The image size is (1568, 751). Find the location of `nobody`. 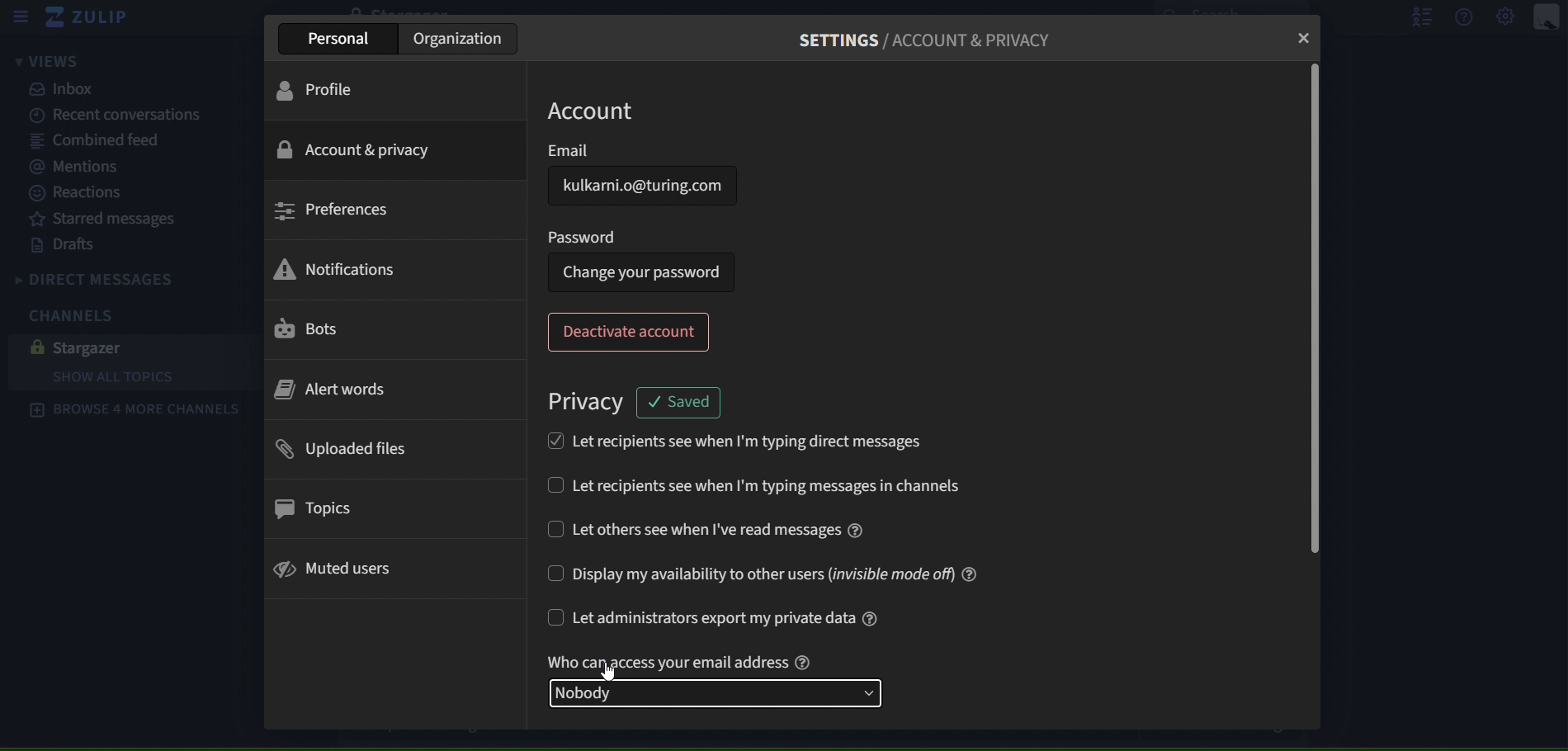

nobody is located at coordinates (722, 692).